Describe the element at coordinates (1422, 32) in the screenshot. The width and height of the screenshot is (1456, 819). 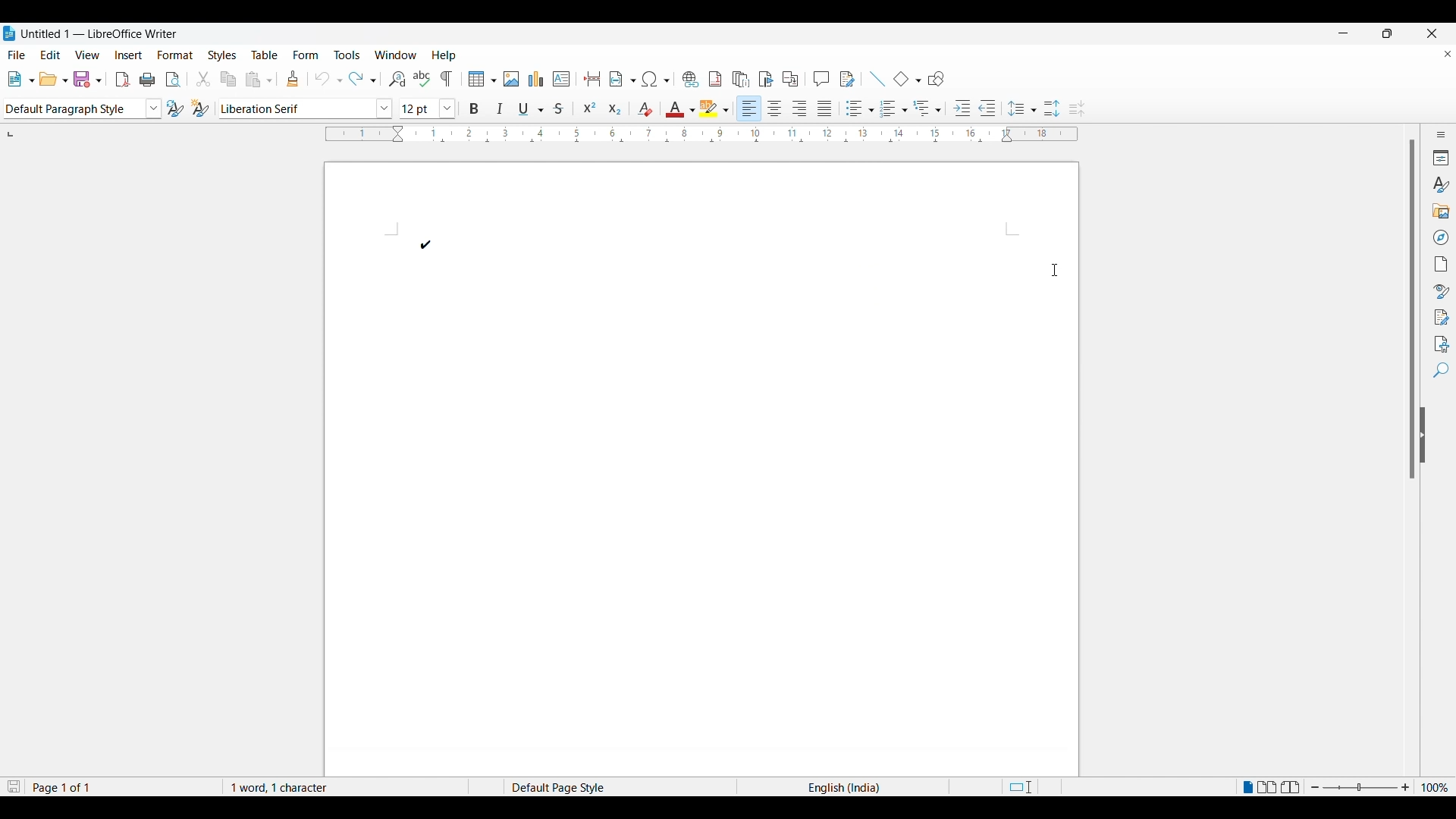
I see `close` at that location.